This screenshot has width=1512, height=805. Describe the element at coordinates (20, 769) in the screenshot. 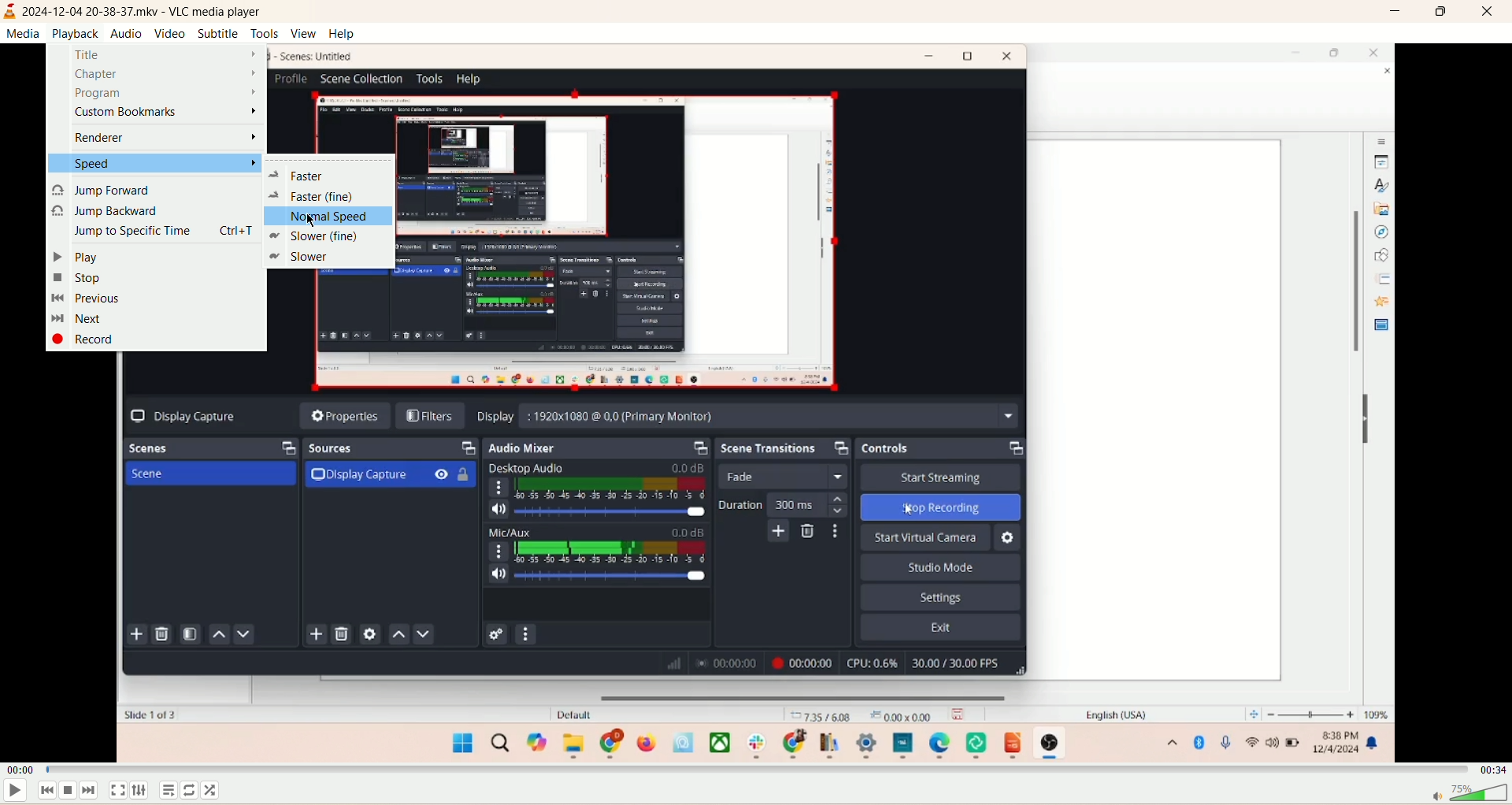

I see `played time` at that location.